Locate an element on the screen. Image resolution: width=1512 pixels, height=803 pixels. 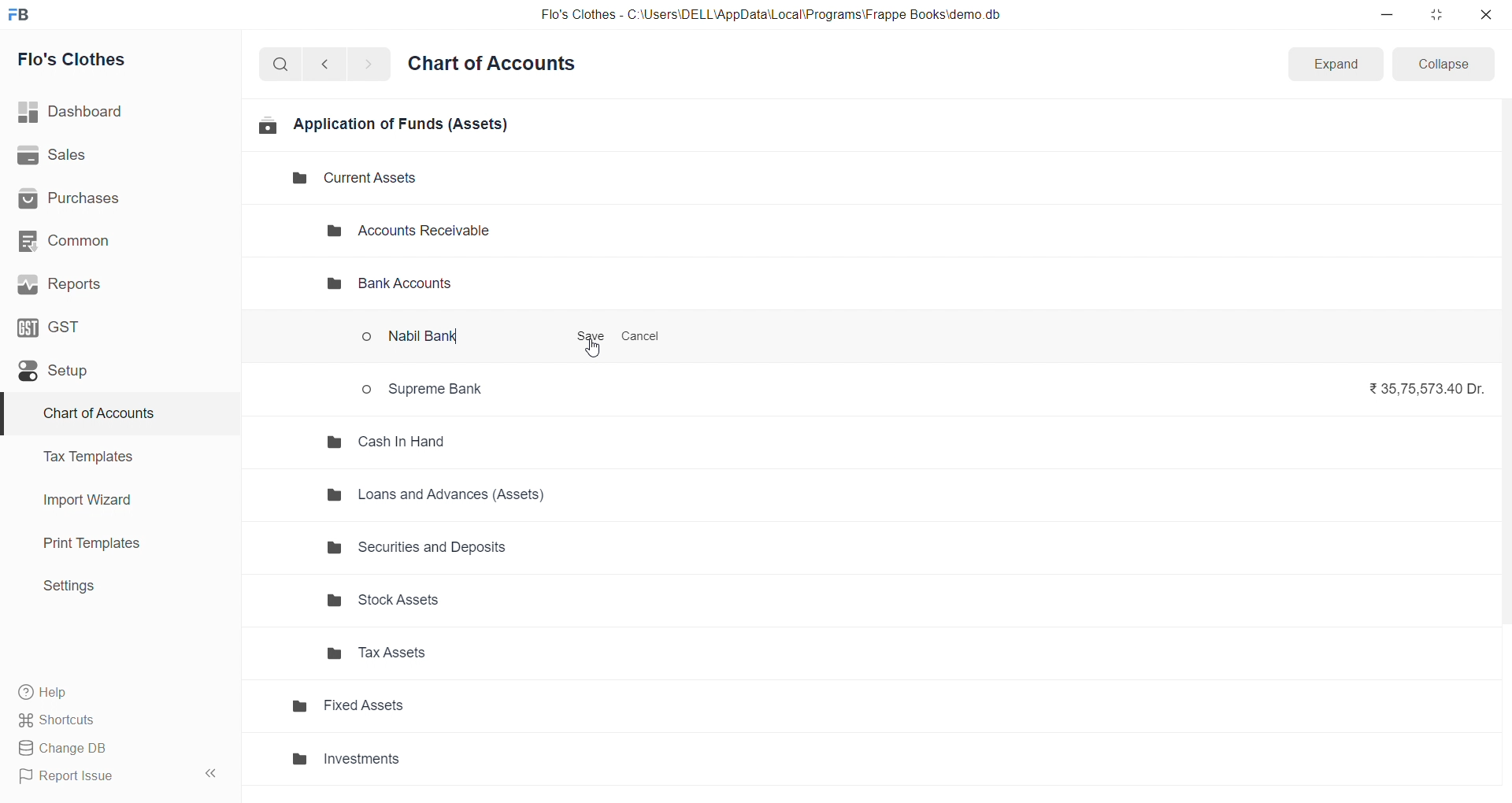
Application of Funds (Assets) is located at coordinates (384, 124).